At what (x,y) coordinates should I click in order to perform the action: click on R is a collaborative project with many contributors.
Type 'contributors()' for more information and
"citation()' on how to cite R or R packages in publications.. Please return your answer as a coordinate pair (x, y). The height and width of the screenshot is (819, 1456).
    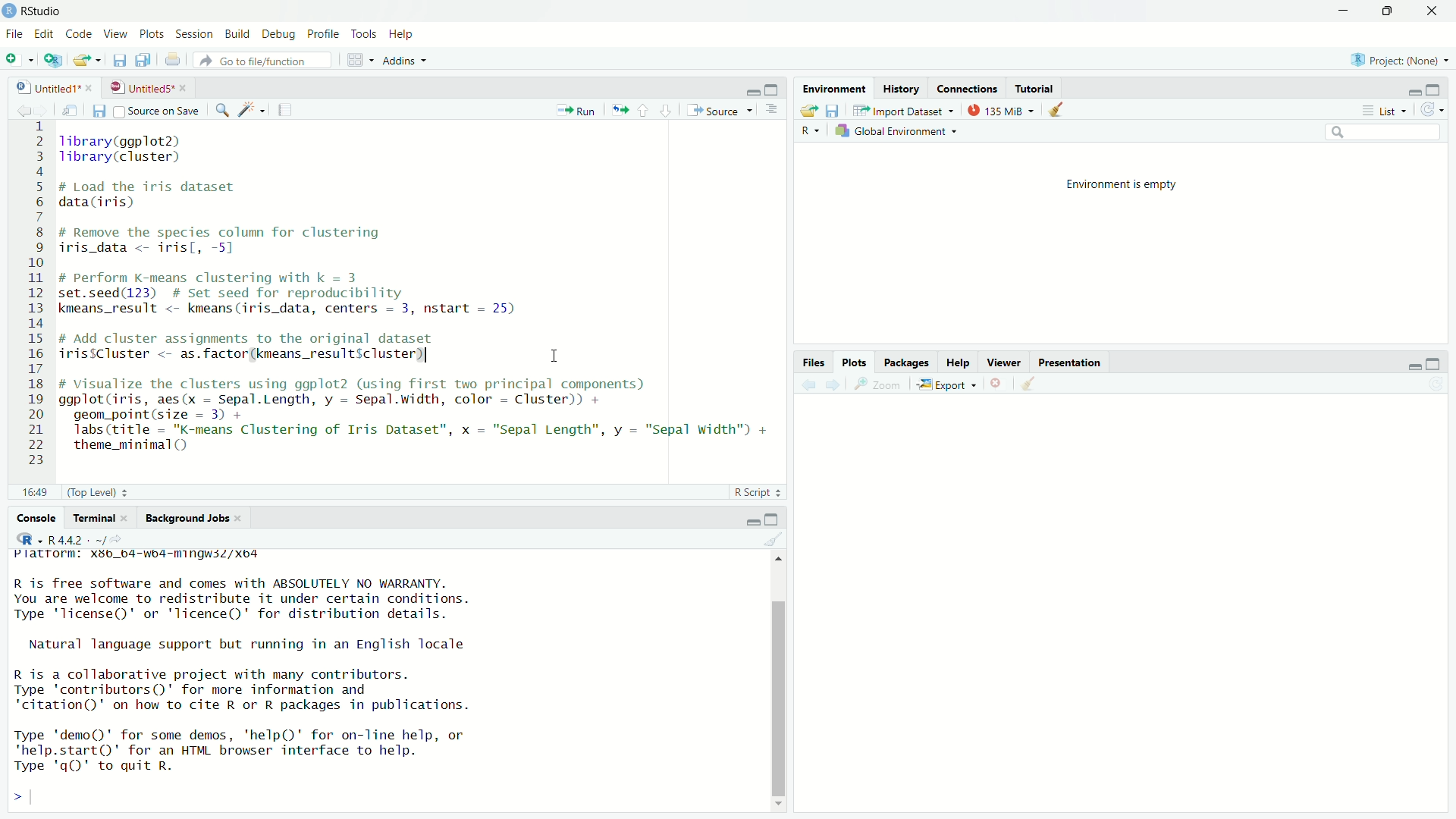
    Looking at the image, I should click on (268, 691).